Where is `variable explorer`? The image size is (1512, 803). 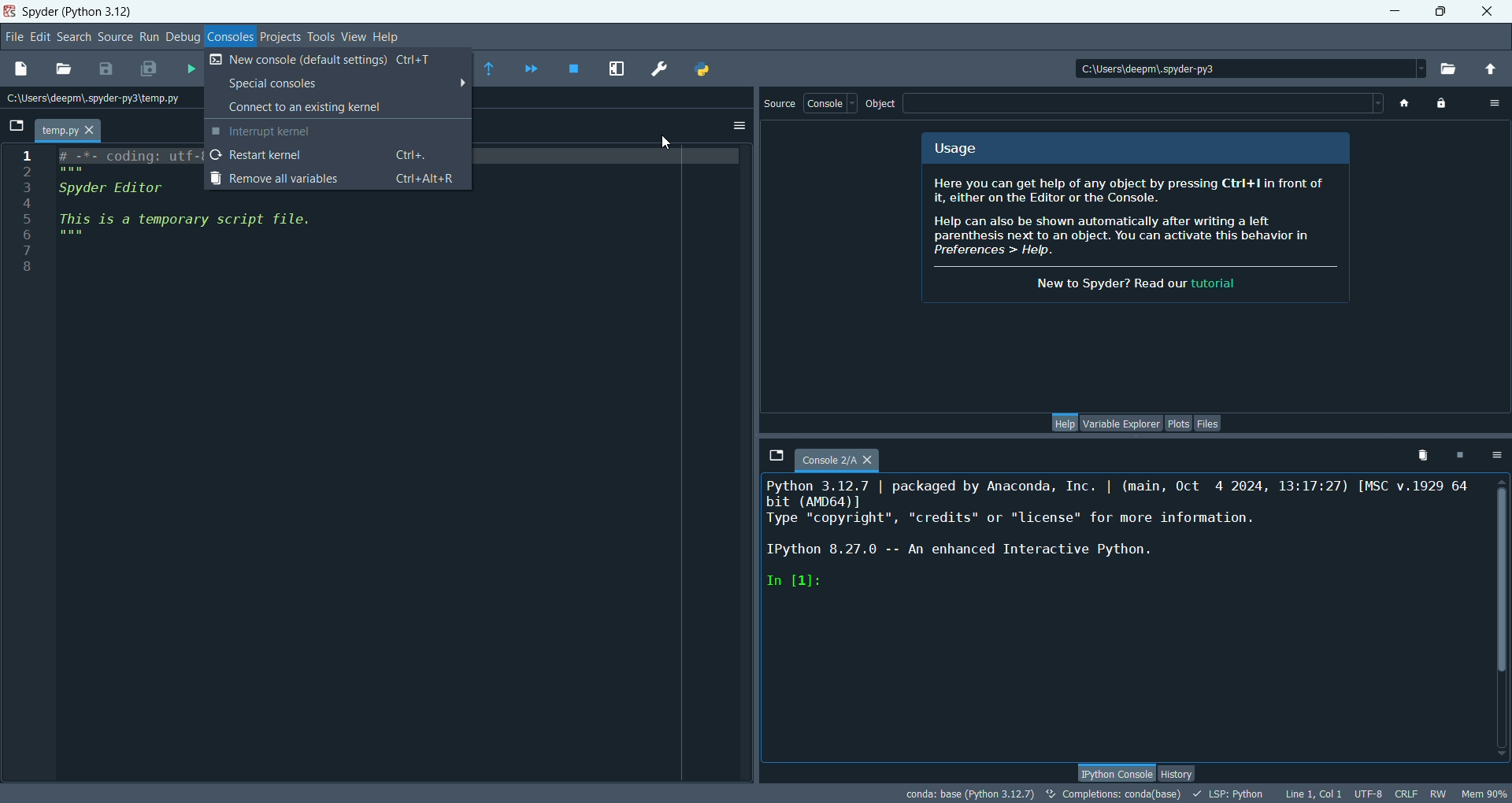 variable explorer is located at coordinates (1120, 423).